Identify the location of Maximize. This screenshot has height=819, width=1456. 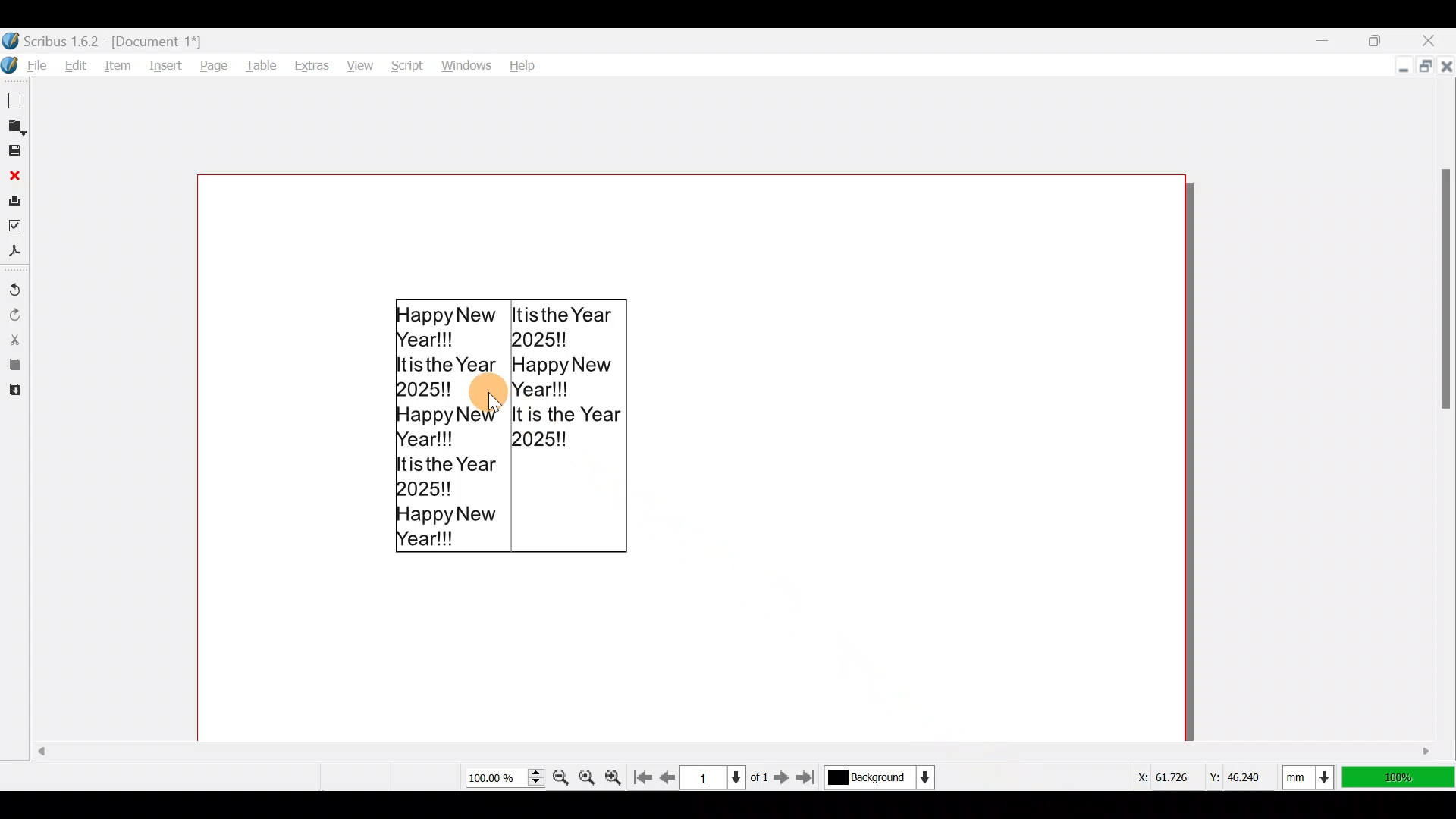
(1386, 38).